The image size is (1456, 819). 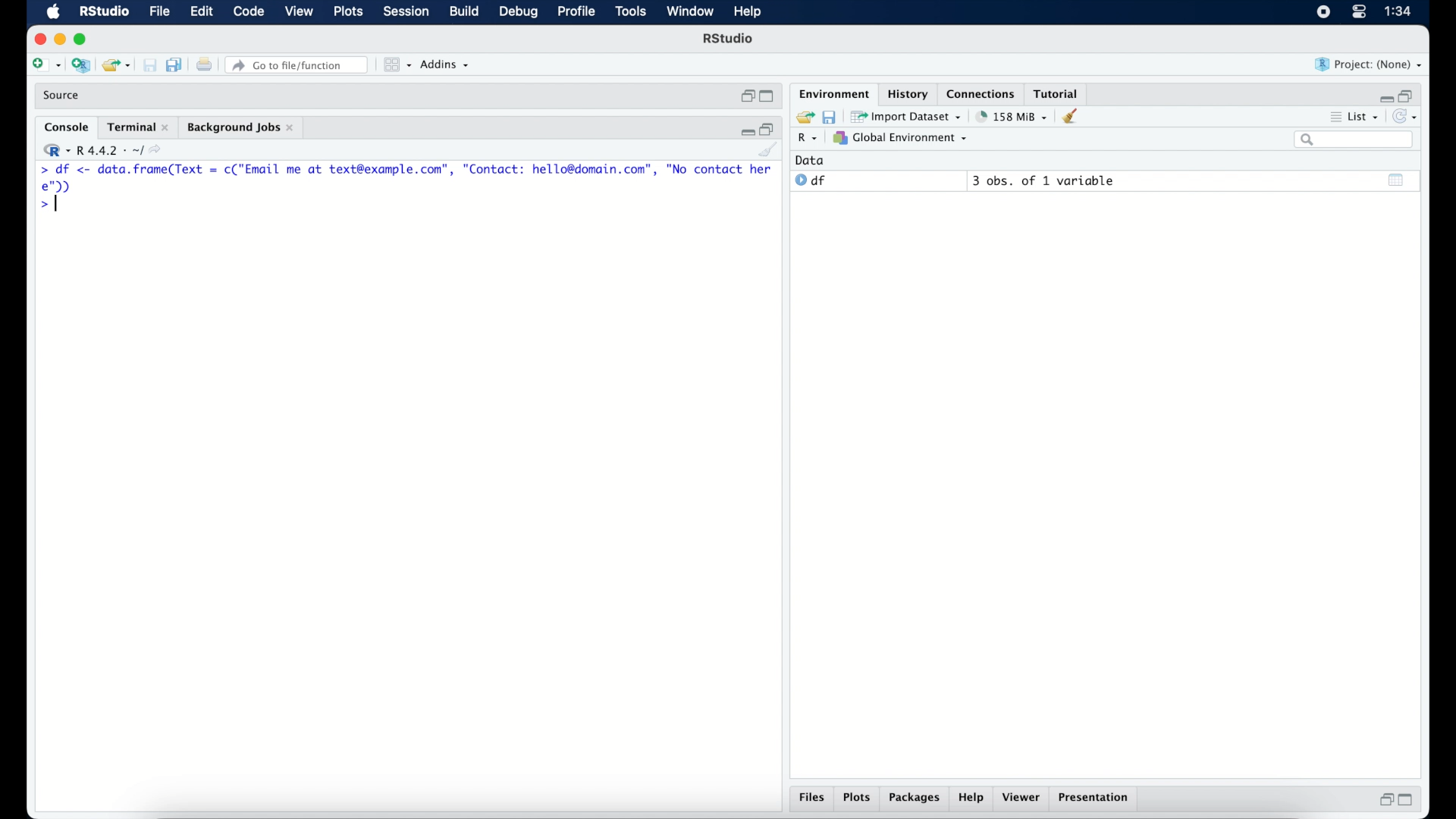 I want to click on search bar, so click(x=1355, y=140).